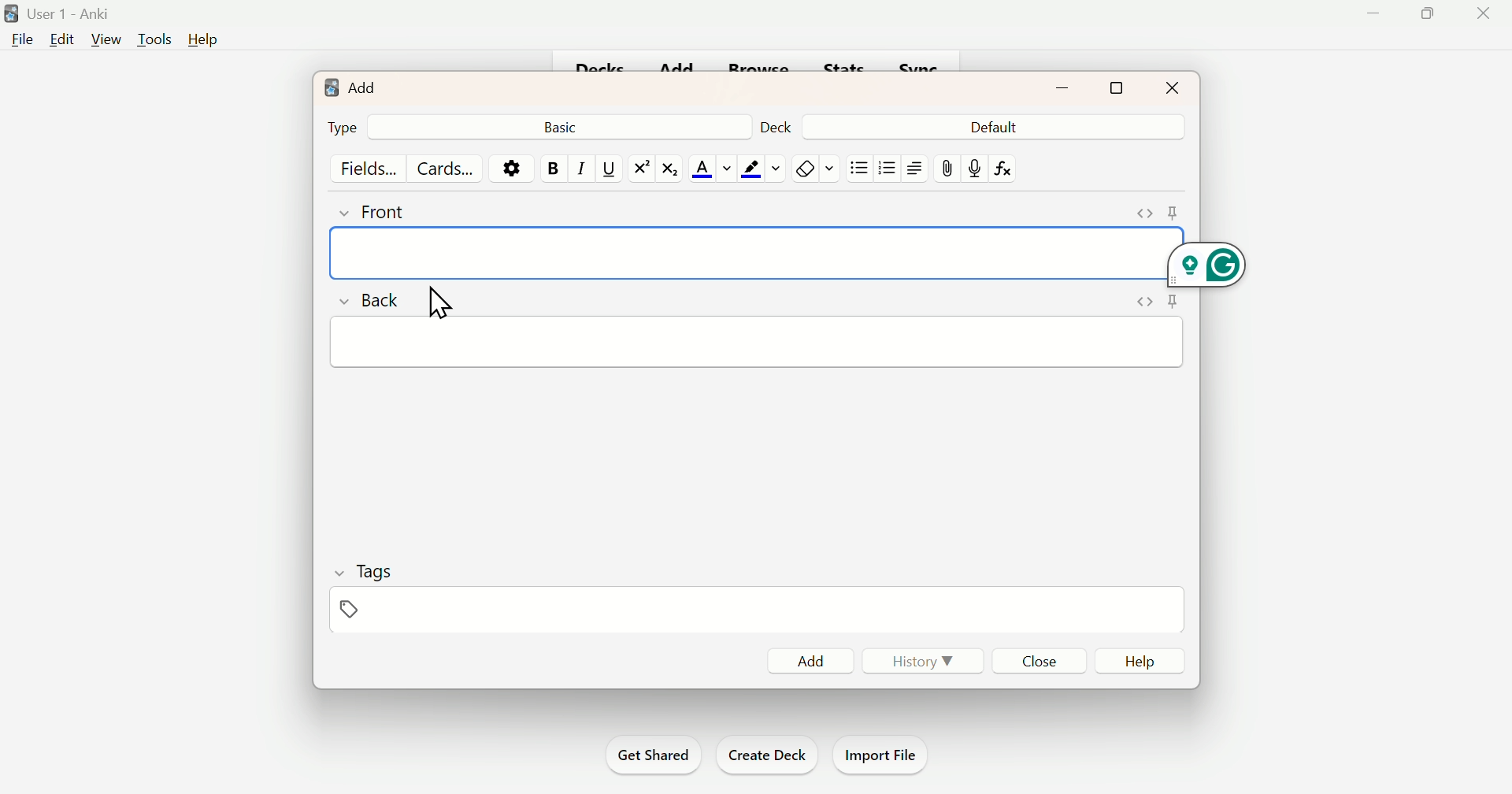  What do you see at coordinates (508, 169) in the screenshot?
I see `Options` at bounding box center [508, 169].